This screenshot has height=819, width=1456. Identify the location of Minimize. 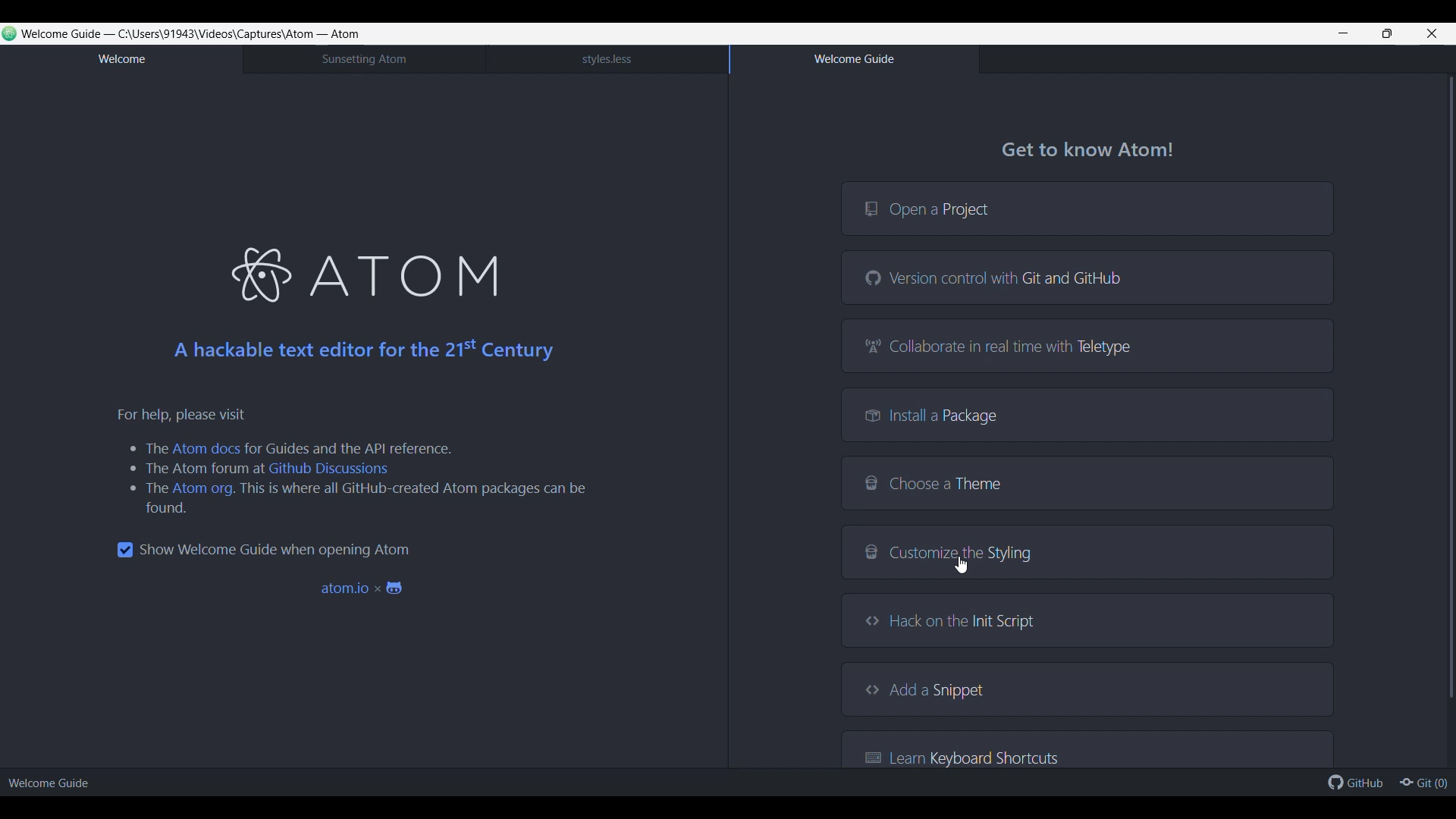
(1343, 33).